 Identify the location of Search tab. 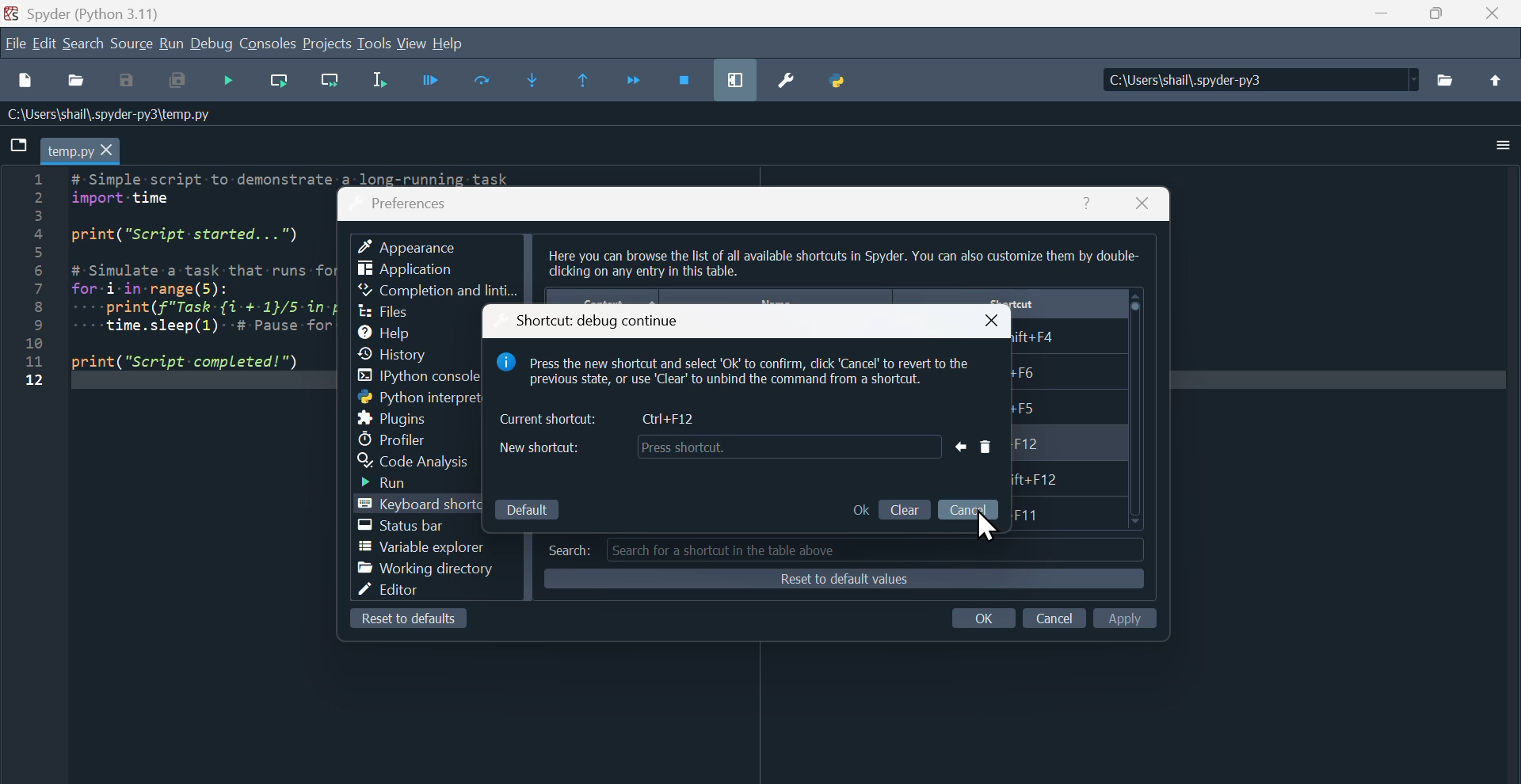
(843, 548).